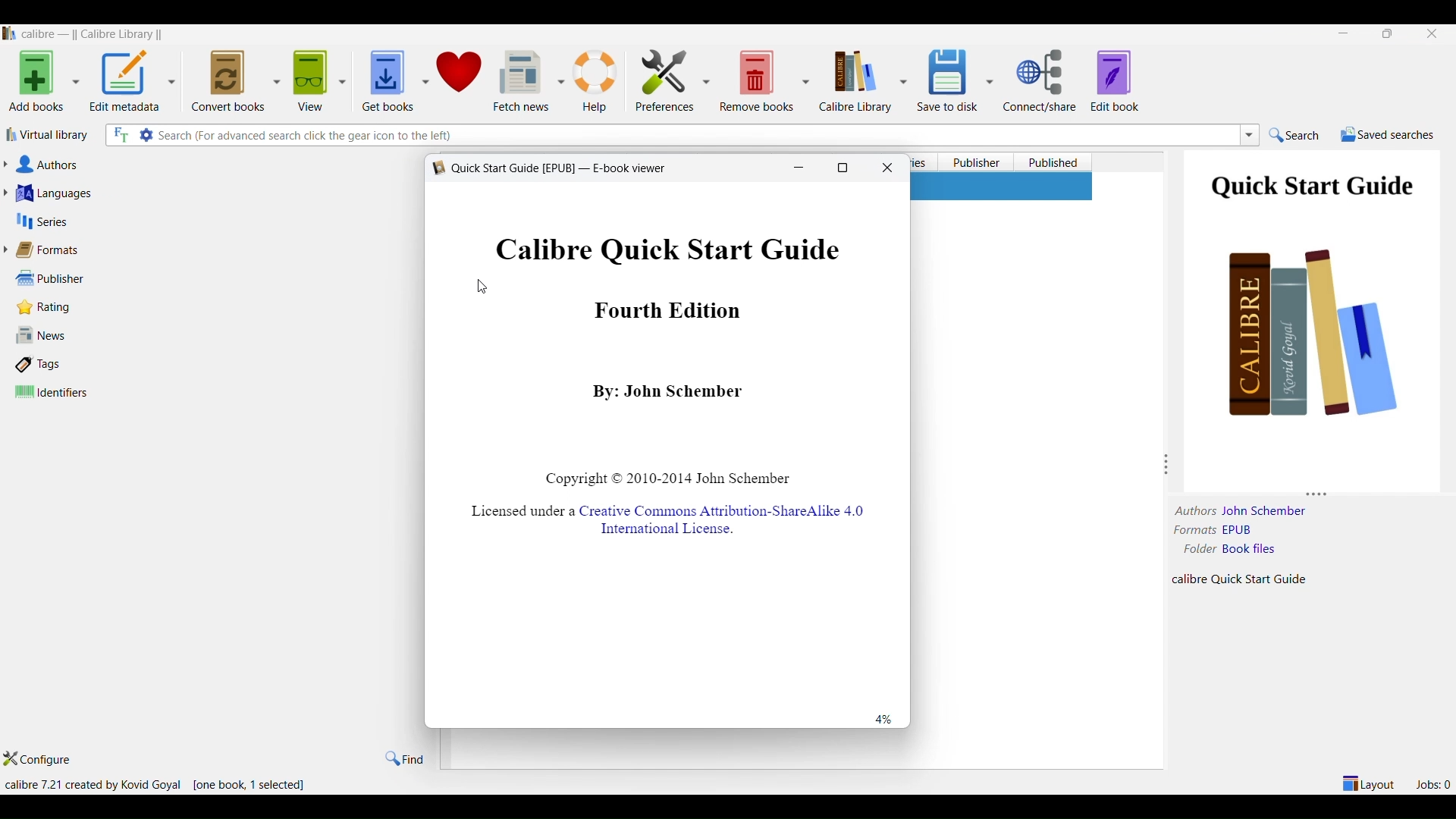  Describe the element at coordinates (1053, 161) in the screenshot. I see `published` at that location.